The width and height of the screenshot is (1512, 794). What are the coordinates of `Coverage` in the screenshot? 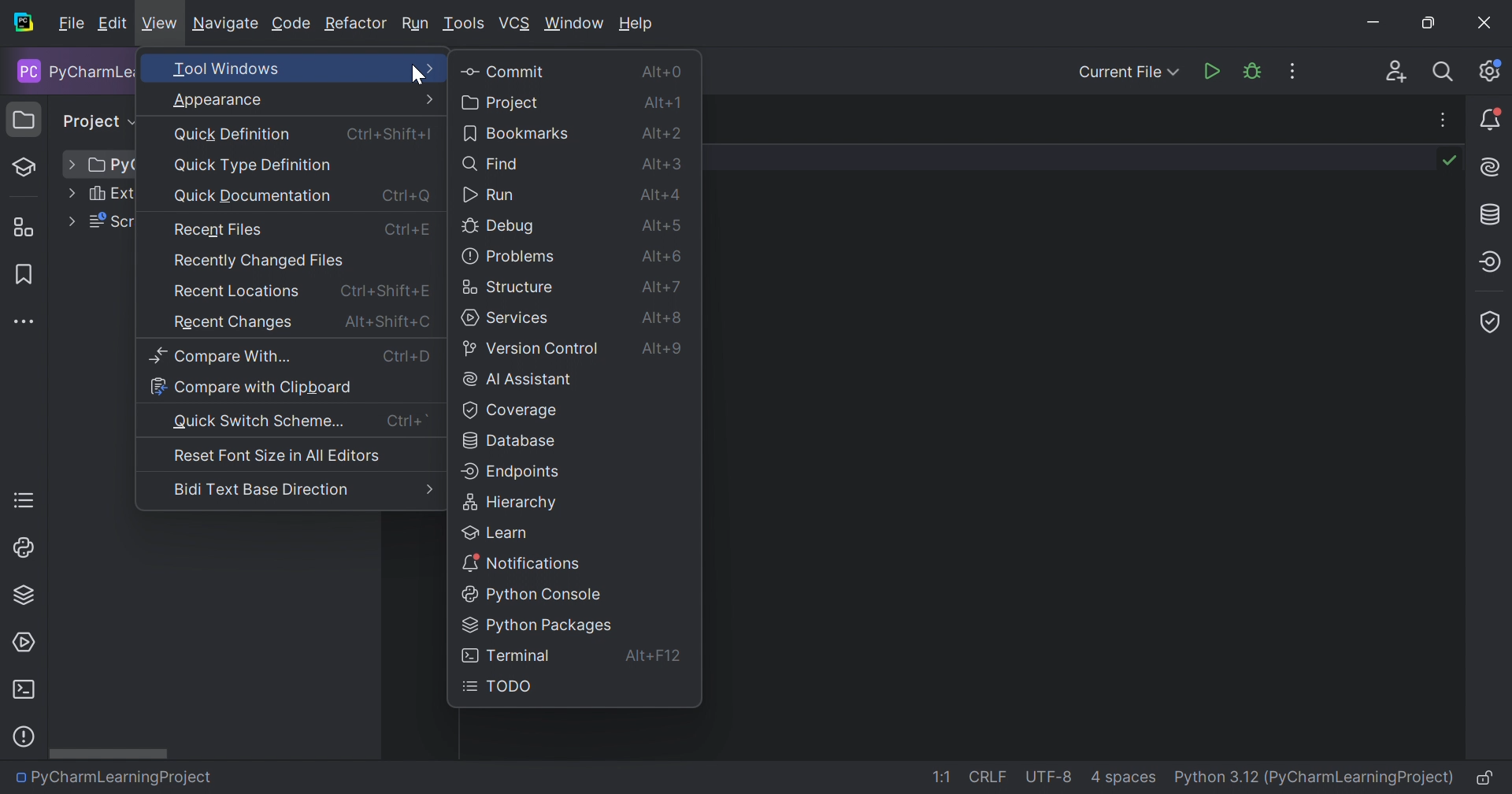 It's located at (1493, 325).